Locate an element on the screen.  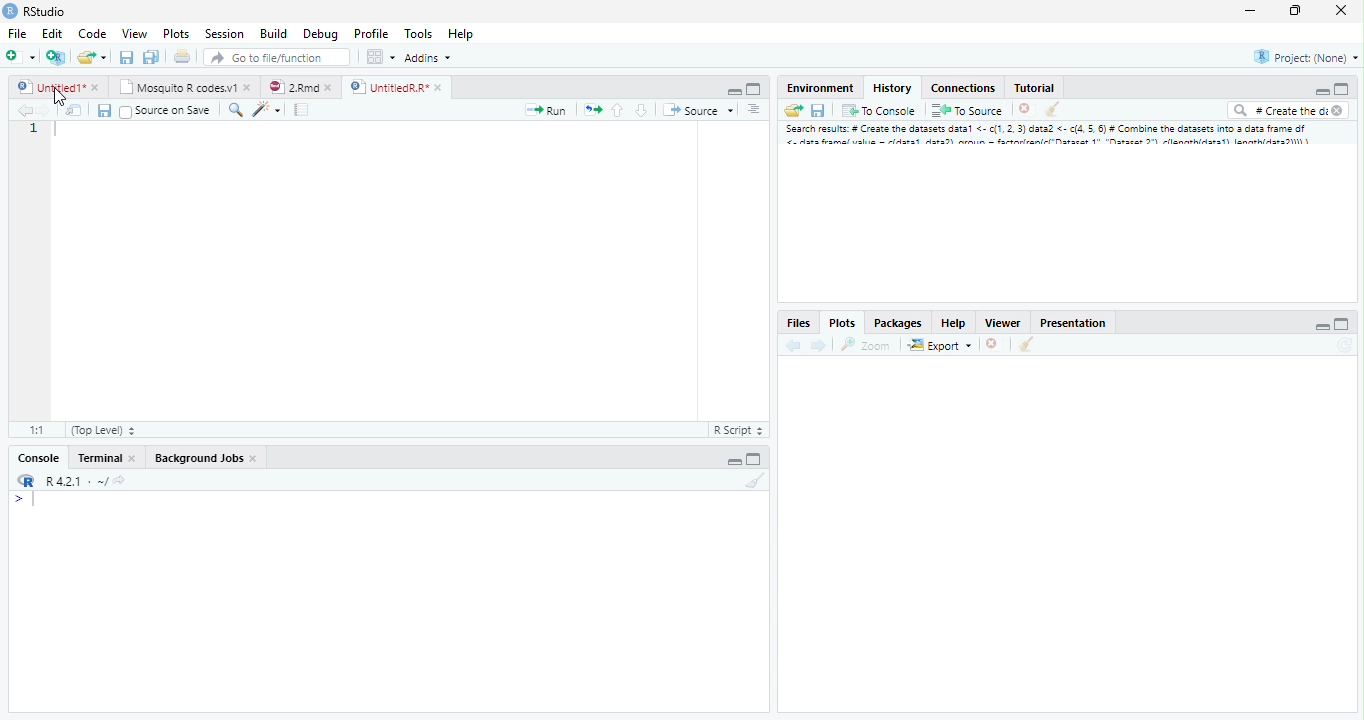
Save all is located at coordinates (151, 57).